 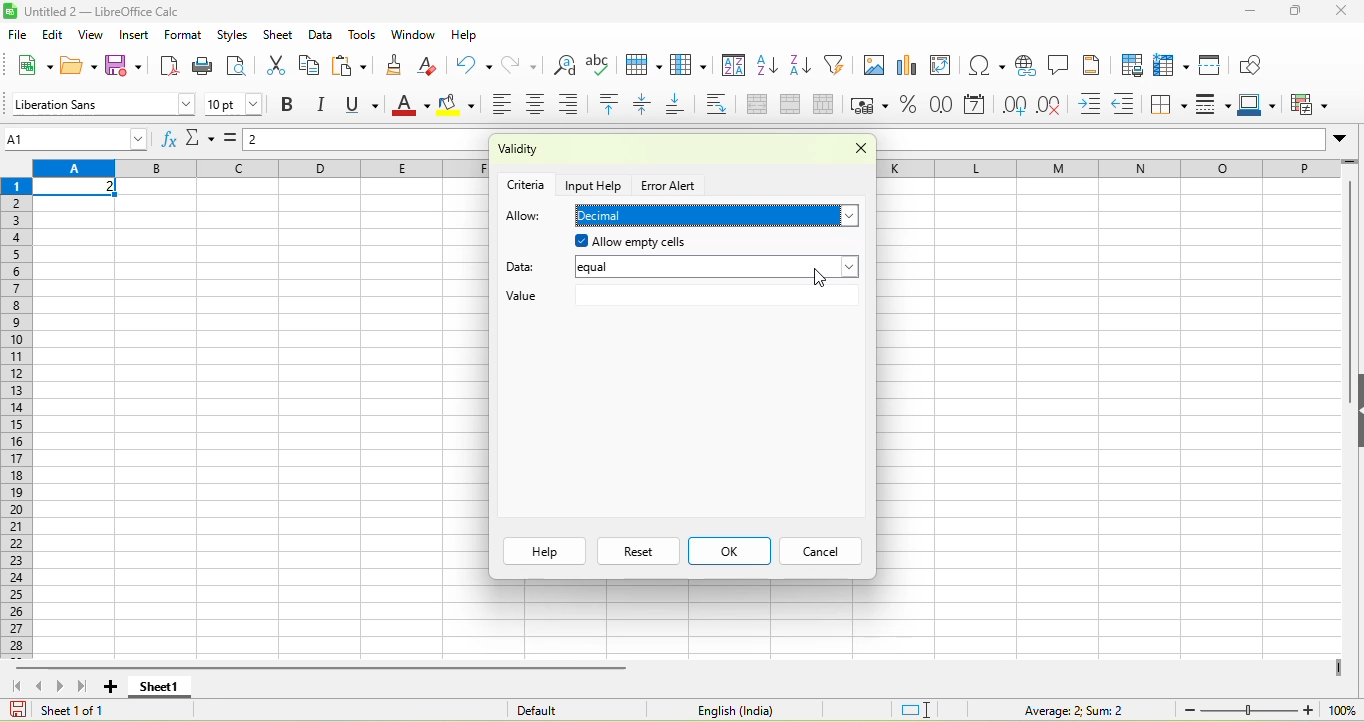 What do you see at coordinates (1059, 65) in the screenshot?
I see `comment` at bounding box center [1059, 65].